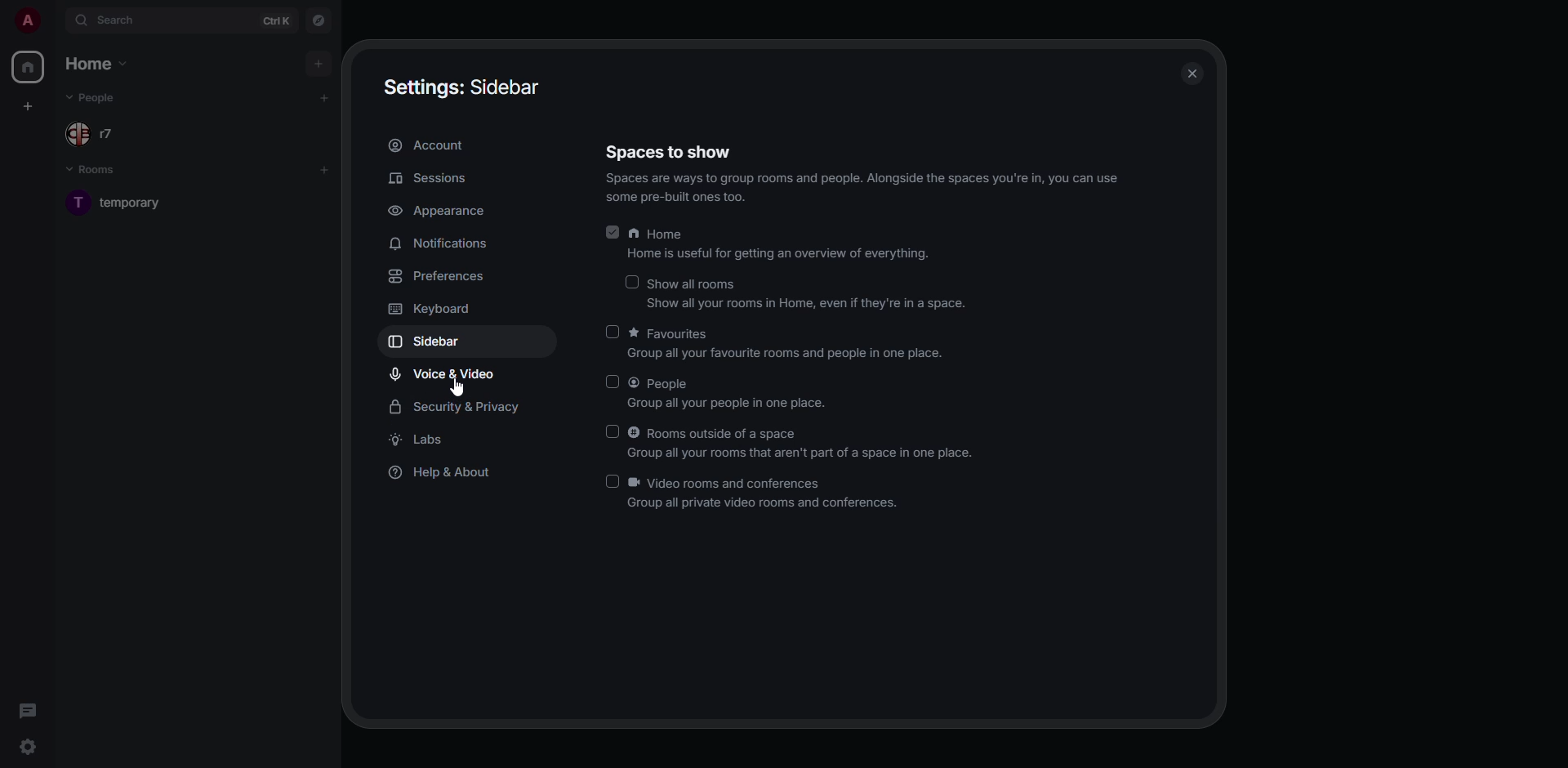 This screenshot has height=768, width=1568. Describe the element at coordinates (276, 21) in the screenshot. I see `ctrl K` at that location.